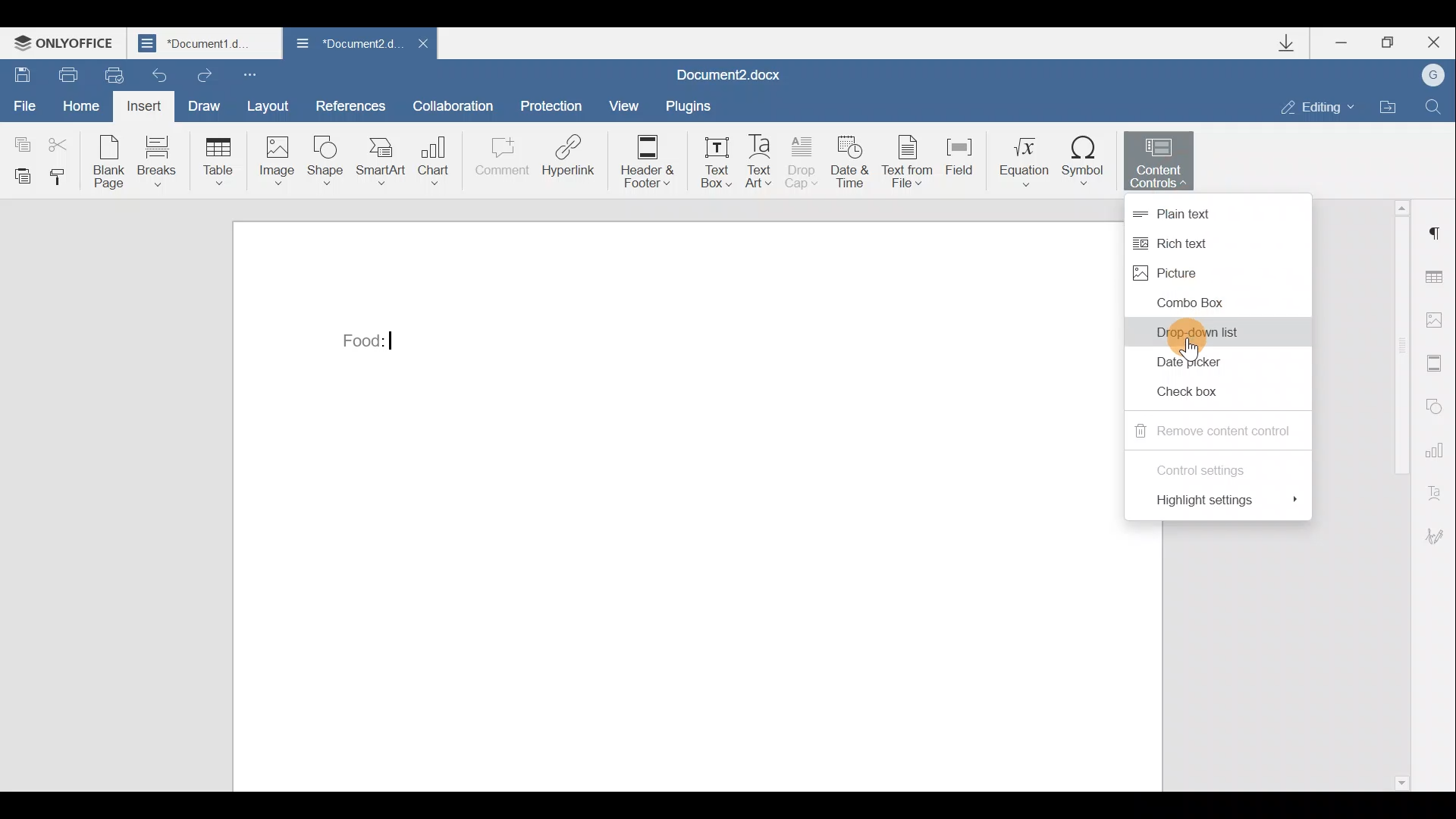  Describe the element at coordinates (852, 165) in the screenshot. I see `Date & time` at that location.